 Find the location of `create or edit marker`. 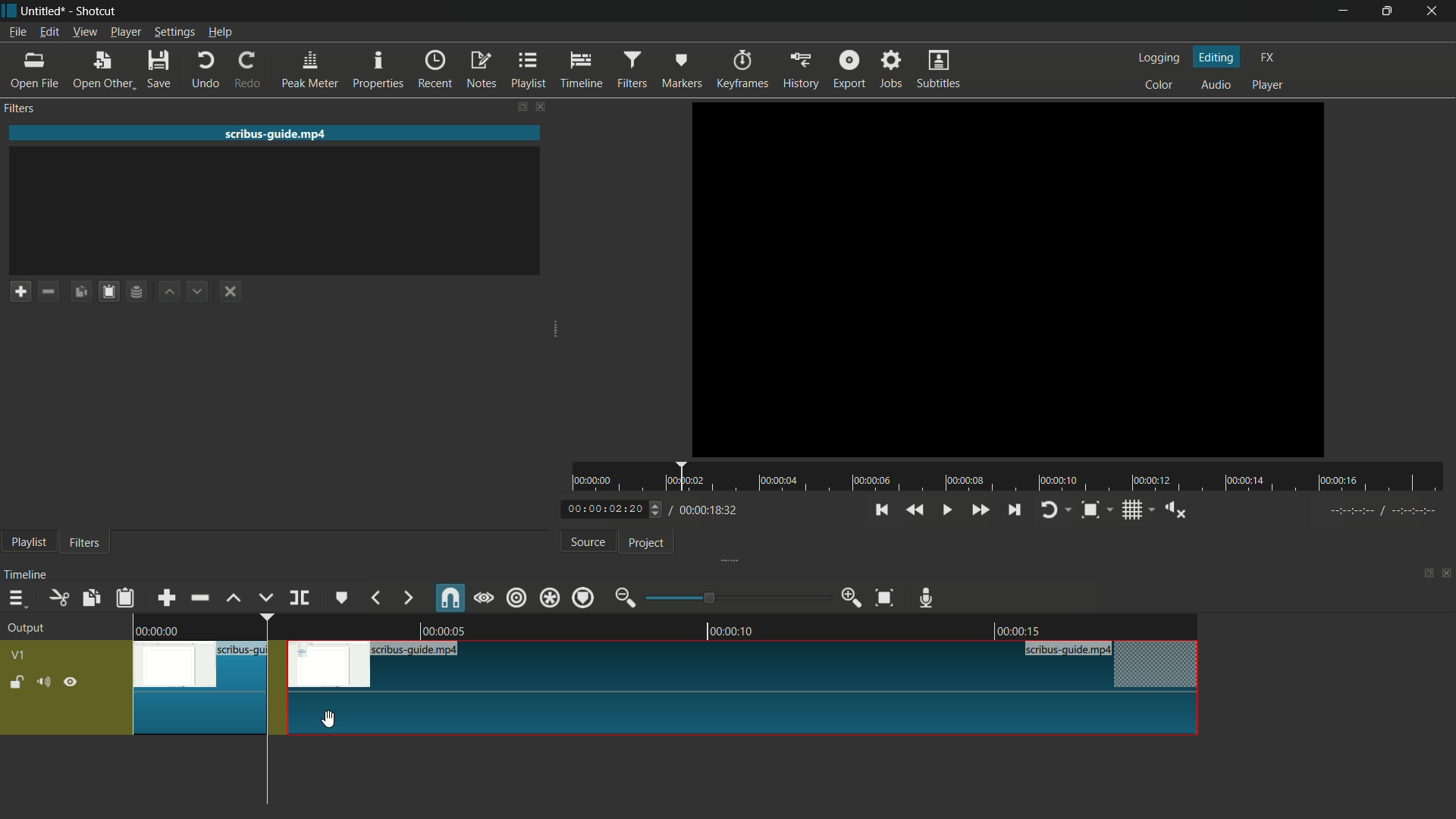

create or edit marker is located at coordinates (344, 597).